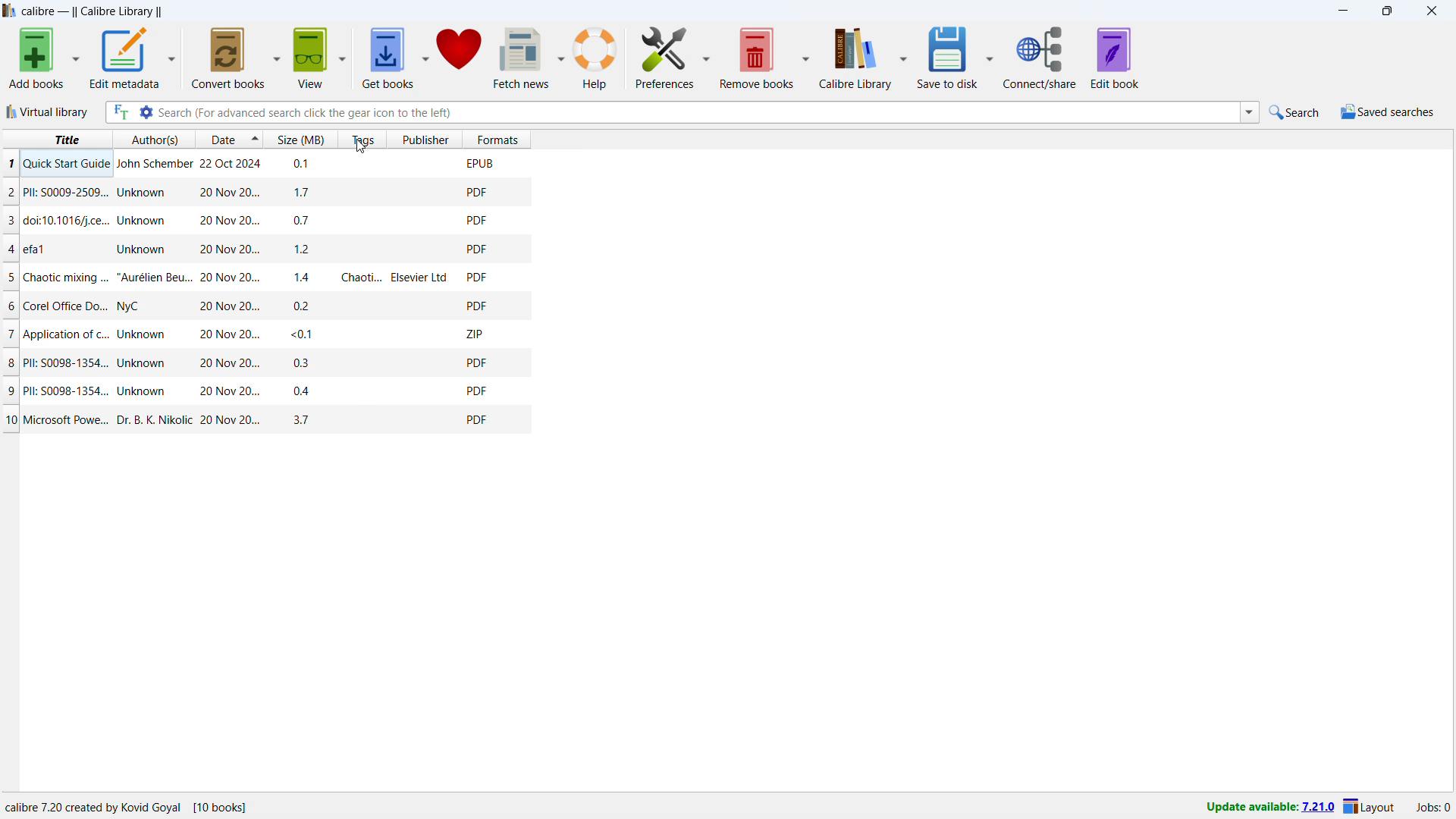  Describe the element at coordinates (699, 113) in the screenshot. I see `enter search string` at that location.